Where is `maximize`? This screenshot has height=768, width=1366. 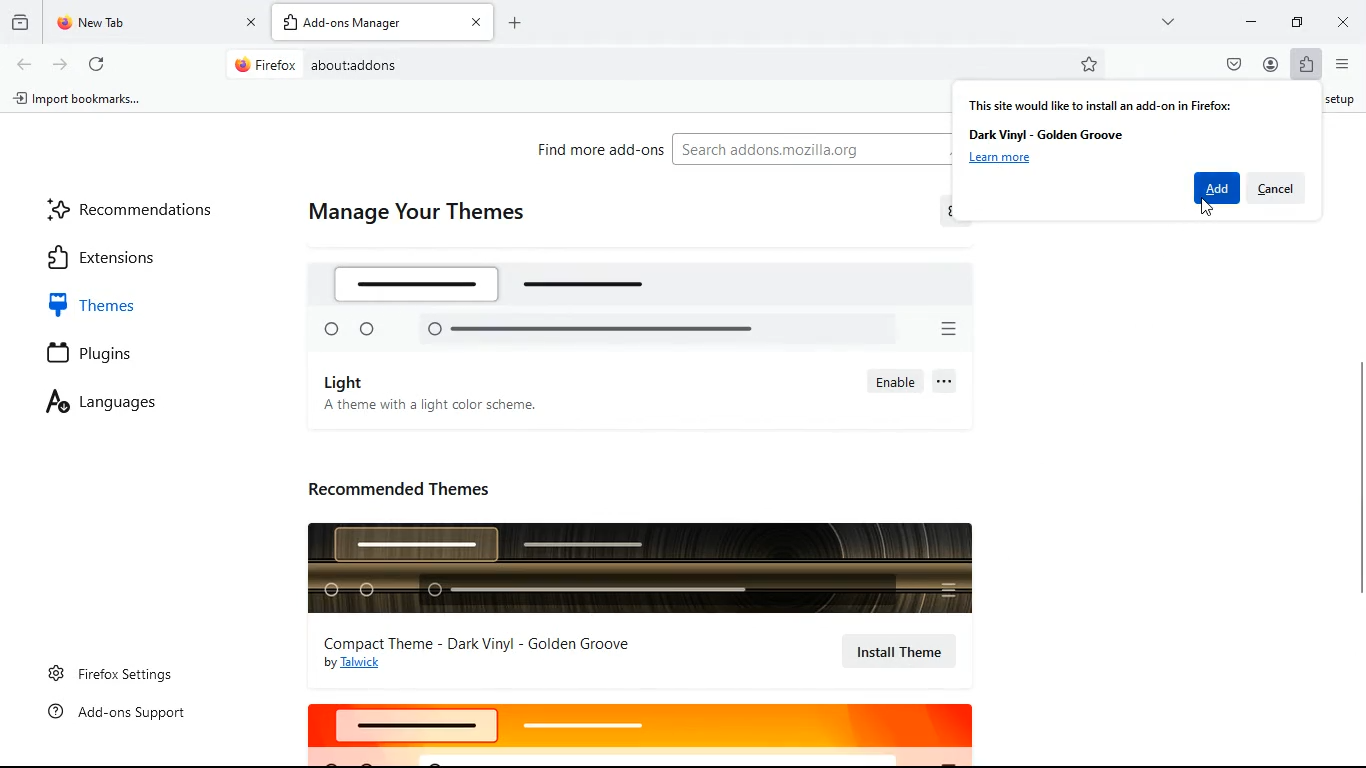 maximize is located at coordinates (1291, 22).